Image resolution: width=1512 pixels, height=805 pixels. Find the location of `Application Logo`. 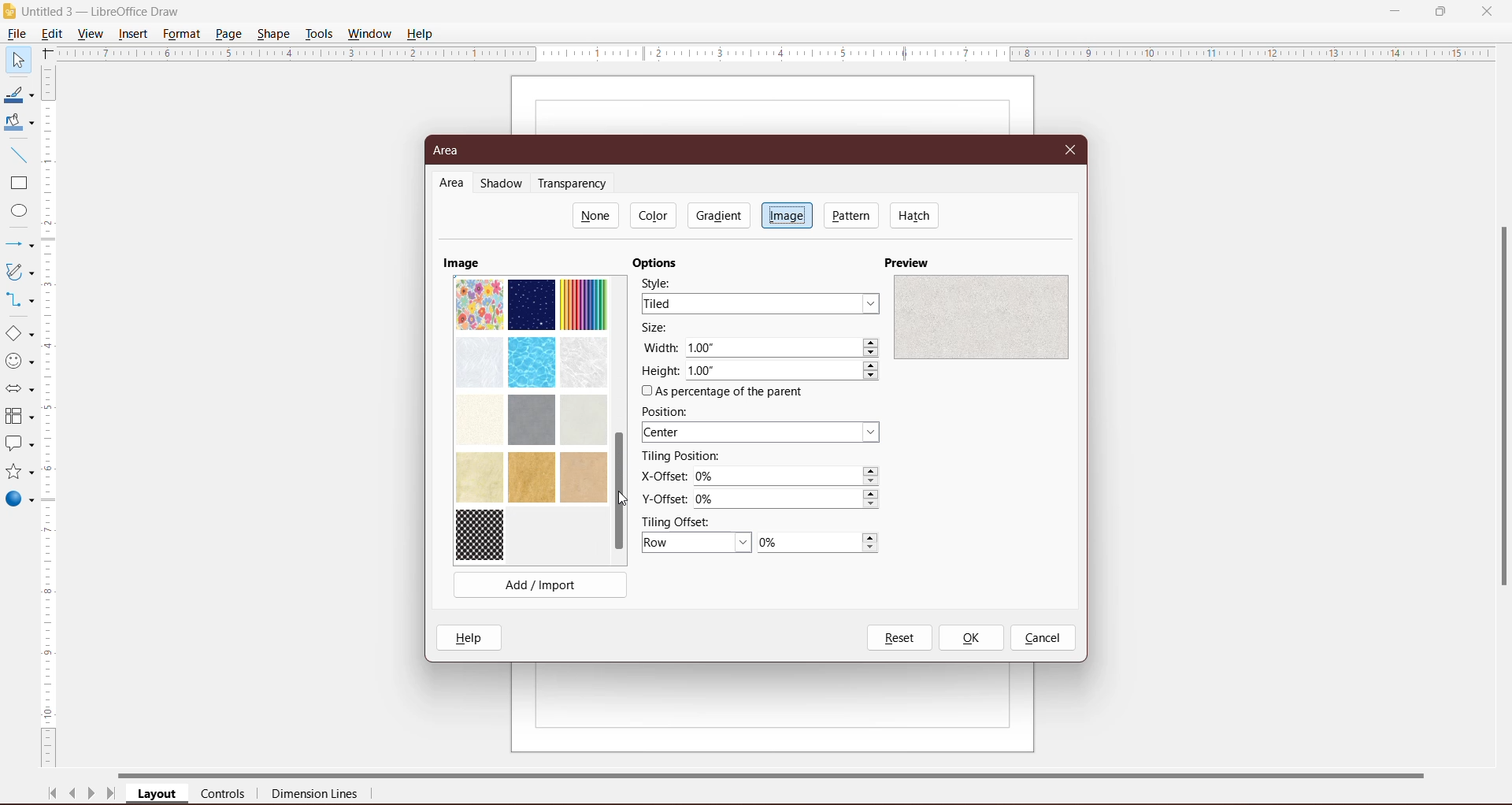

Application Logo is located at coordinates (10, 12).